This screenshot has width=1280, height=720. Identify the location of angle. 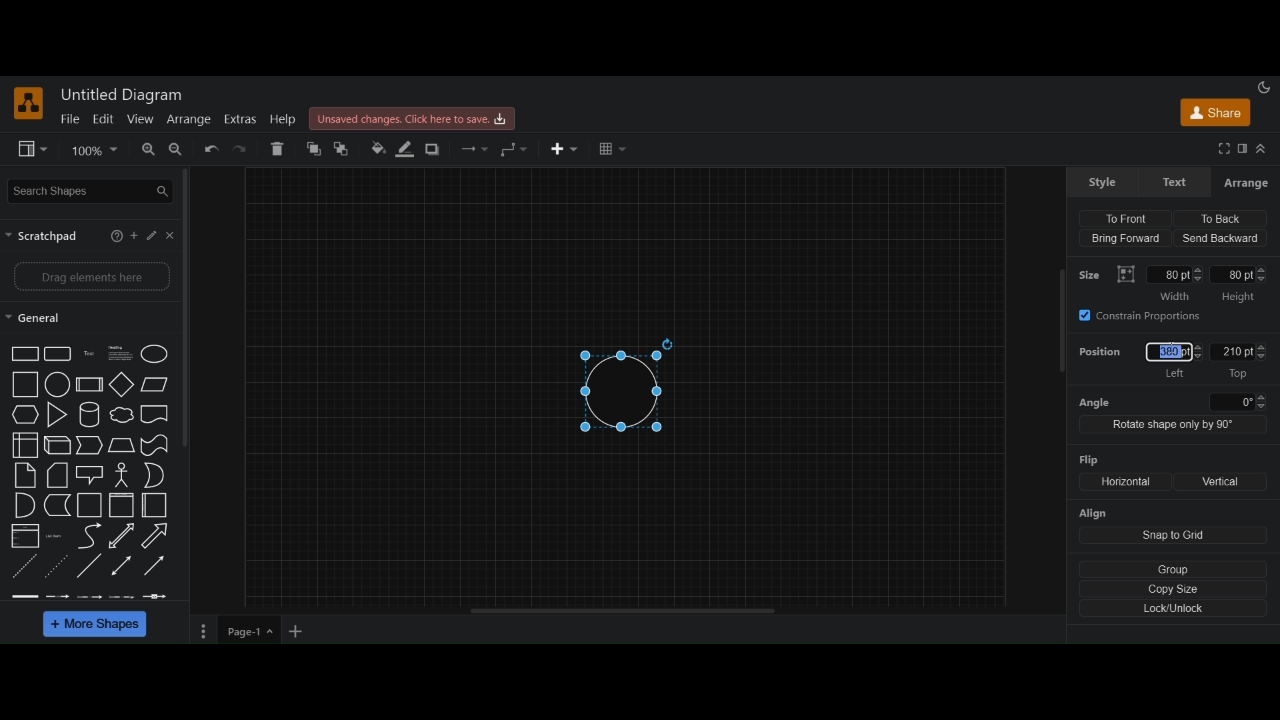
(1174, 402).